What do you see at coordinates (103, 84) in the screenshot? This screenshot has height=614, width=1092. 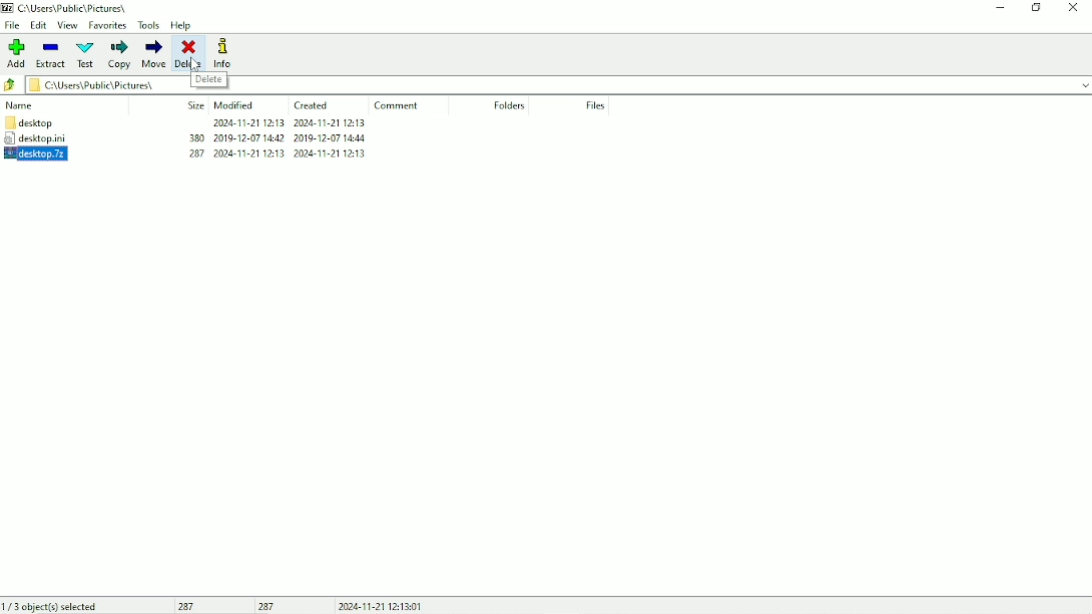 I see `§ CAUsers\Fublic\ Pictures|` at bounding box center [103, 84].